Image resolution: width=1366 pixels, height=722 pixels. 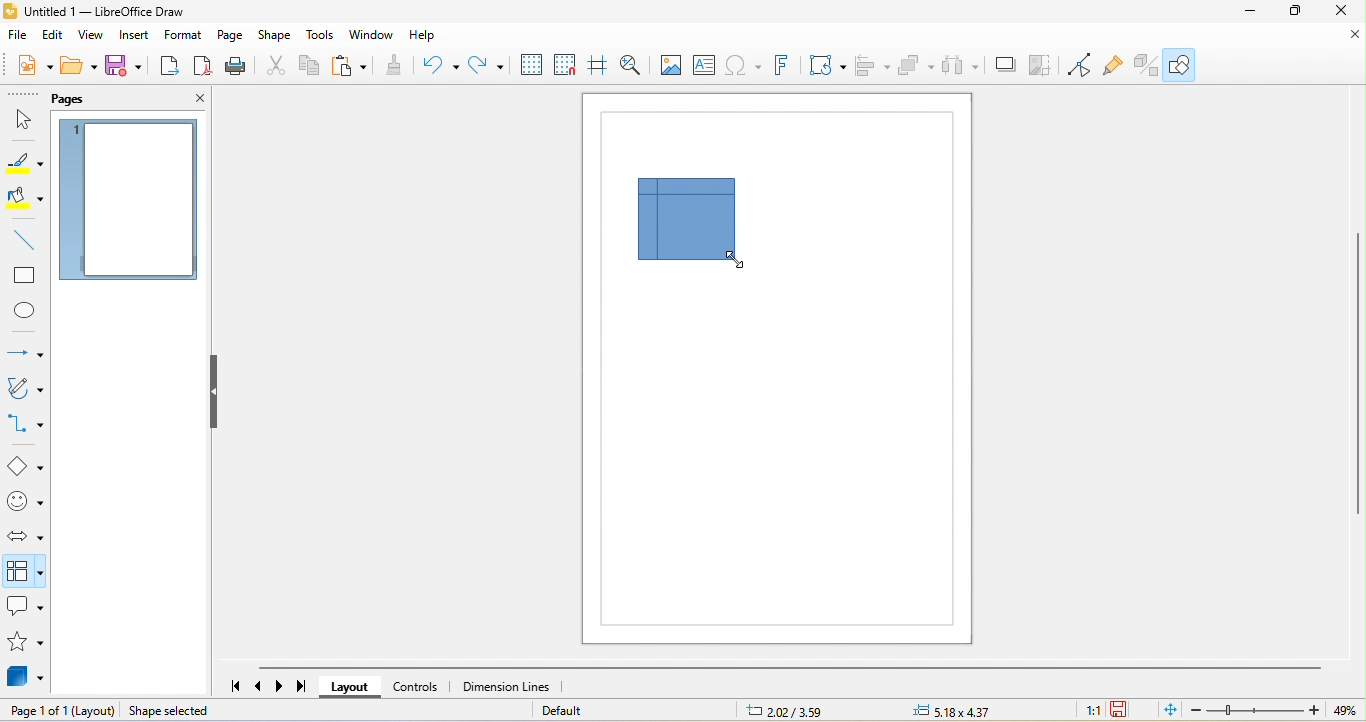 What do you see at coordinates (26, 425) in the screenshot?
I see `connectors` at bounding box center [26, 425].